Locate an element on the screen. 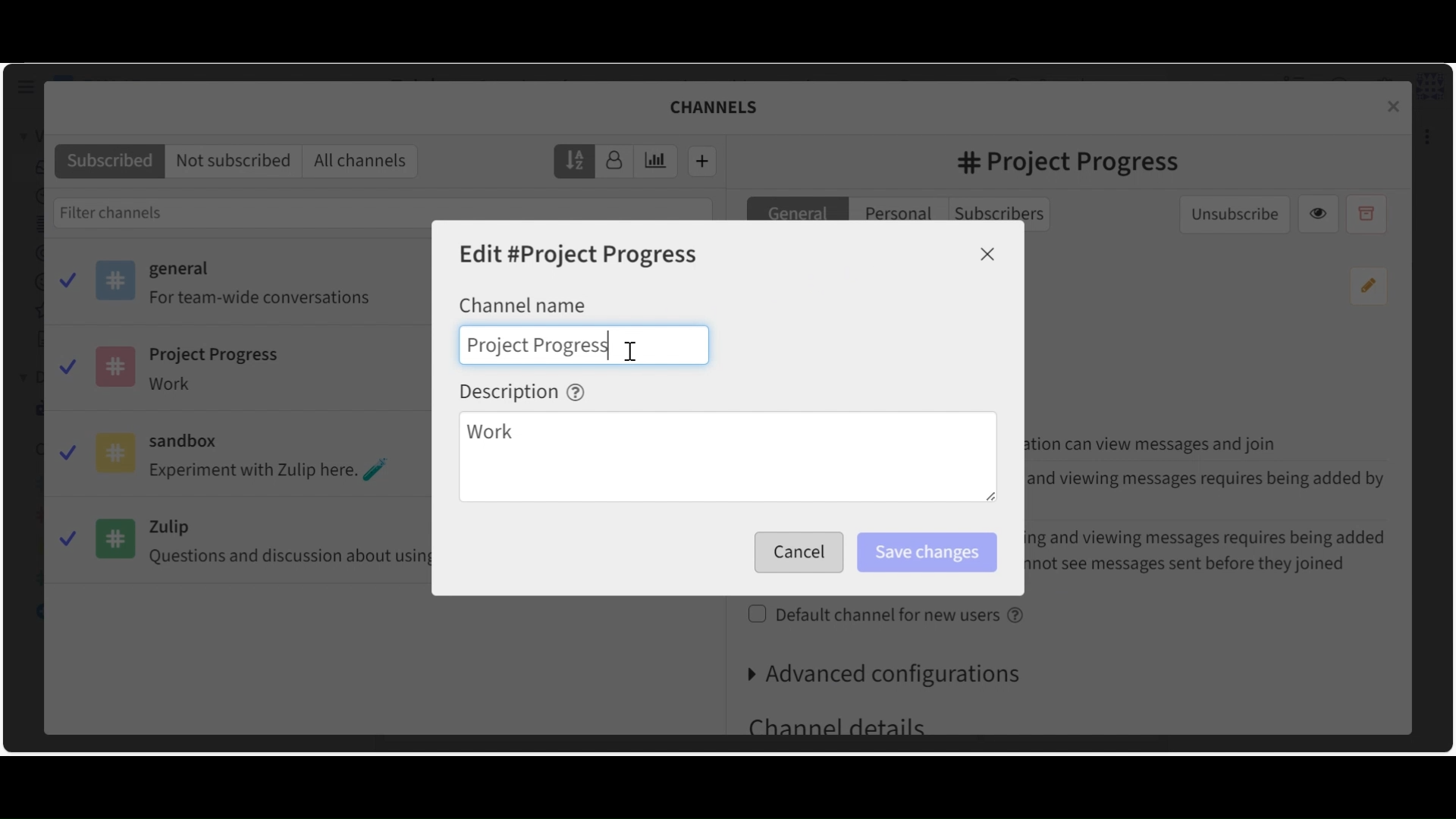  Channel Name is located at coordinates (522, 304).